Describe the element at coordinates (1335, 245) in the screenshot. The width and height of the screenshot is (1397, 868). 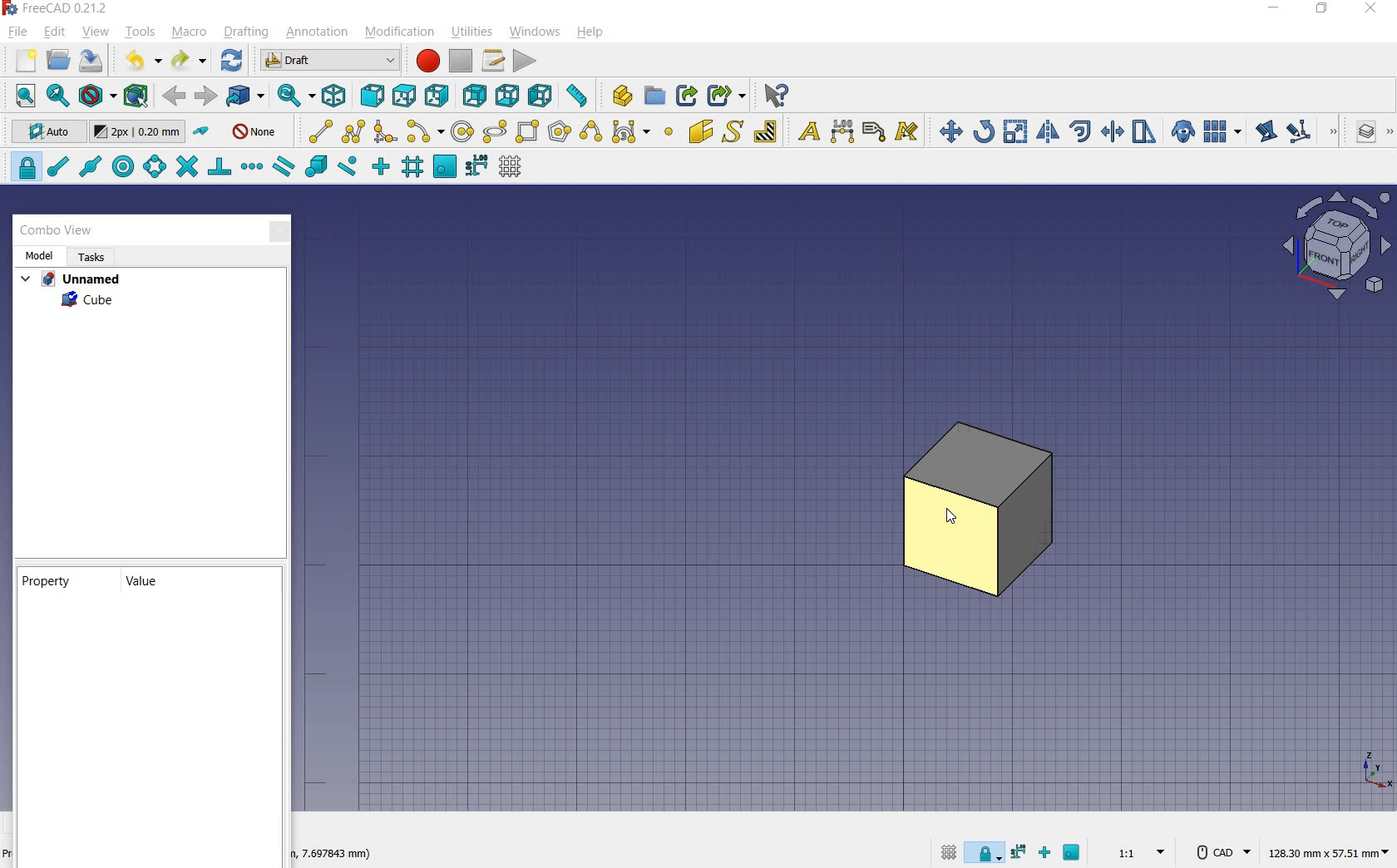
I see `view plane options` at that location.